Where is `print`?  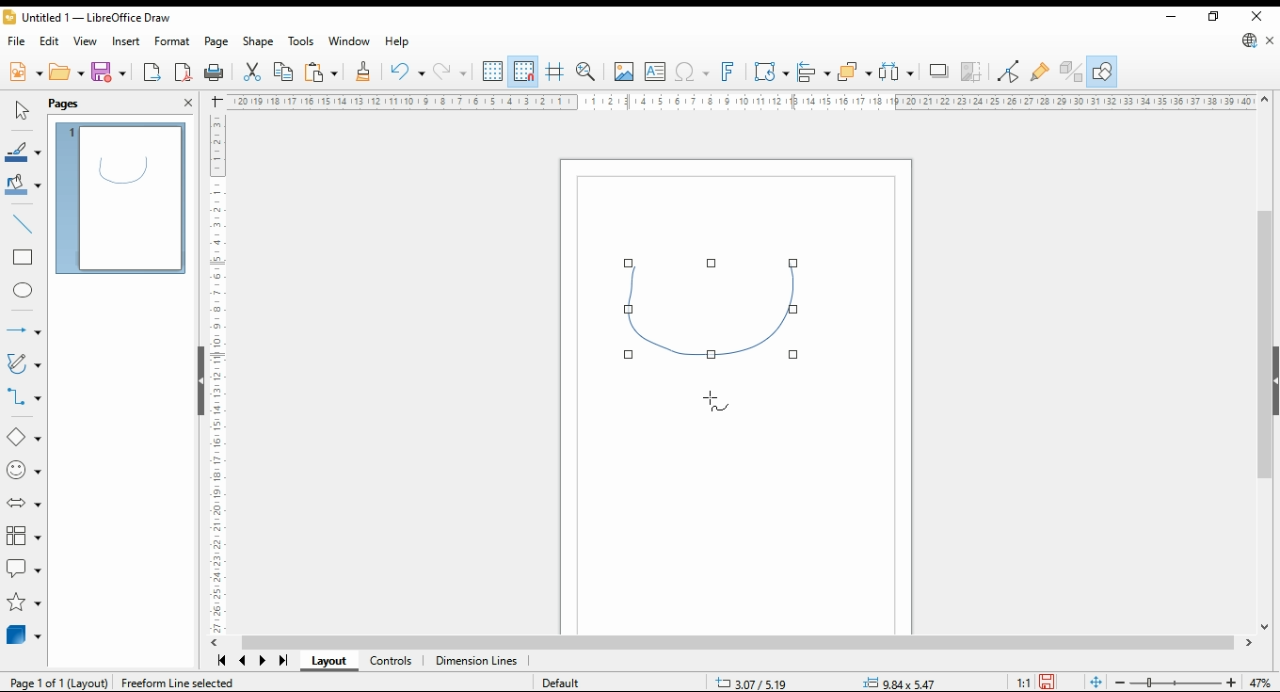 print is located at coordinates (216, 73).